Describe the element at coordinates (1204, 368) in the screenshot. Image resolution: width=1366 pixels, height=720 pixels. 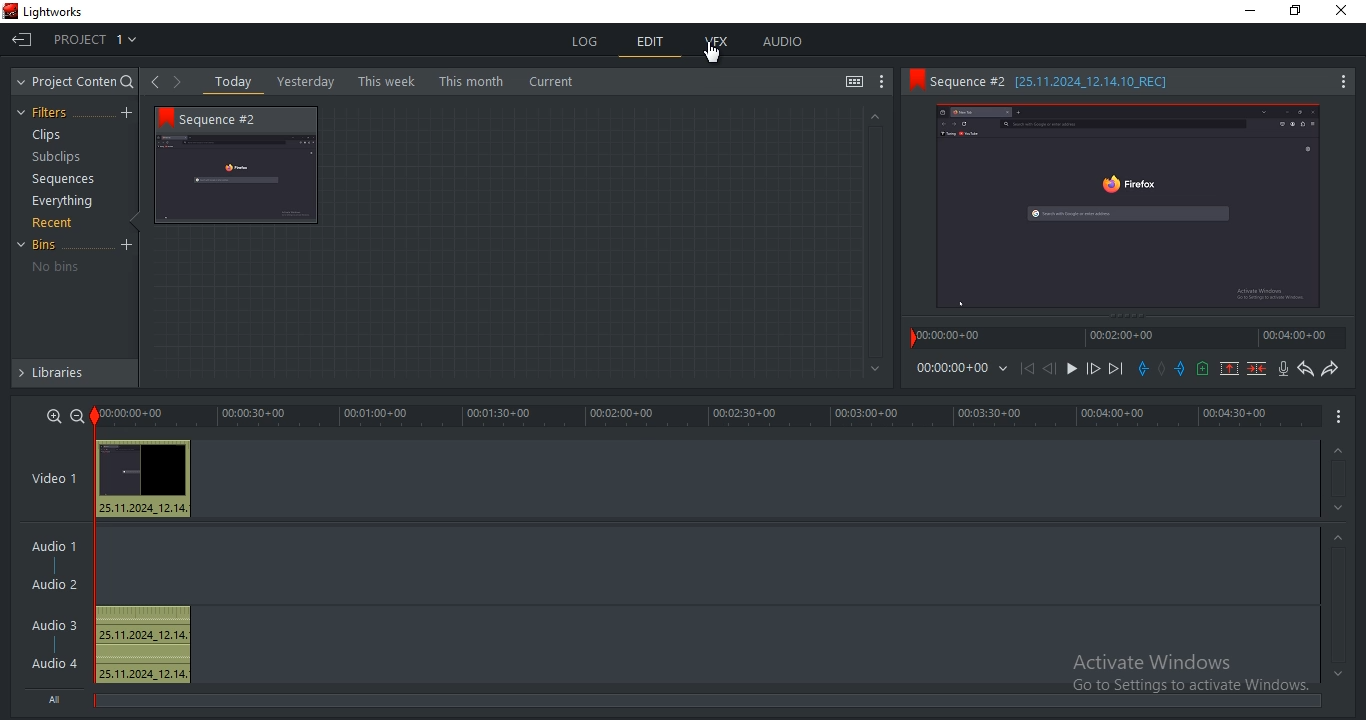
I see `add a cue at current position` at that location.